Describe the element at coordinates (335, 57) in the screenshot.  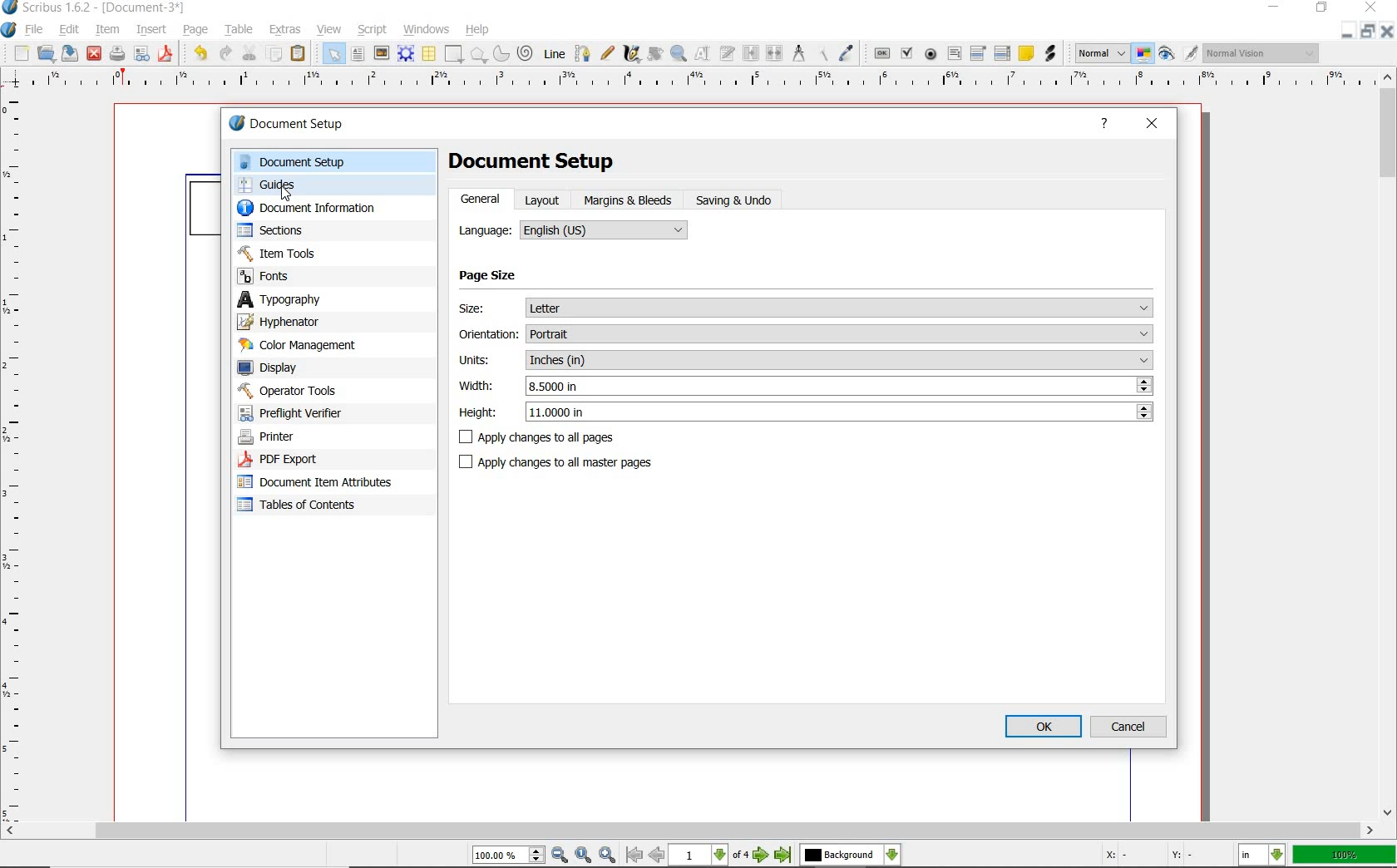
I see `select` at that location.